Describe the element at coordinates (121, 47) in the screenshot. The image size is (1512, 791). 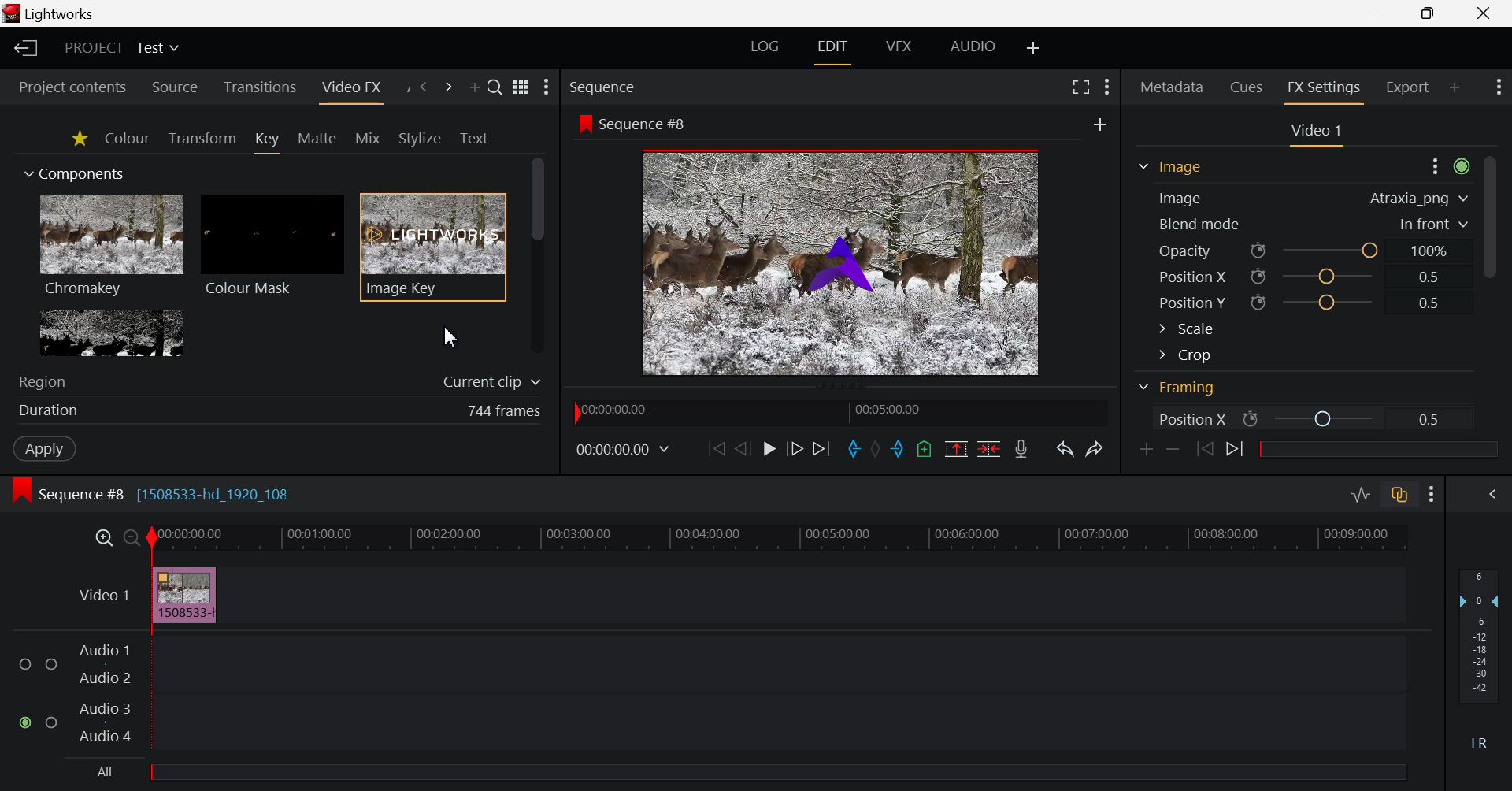
I see `Project Title` at that location.